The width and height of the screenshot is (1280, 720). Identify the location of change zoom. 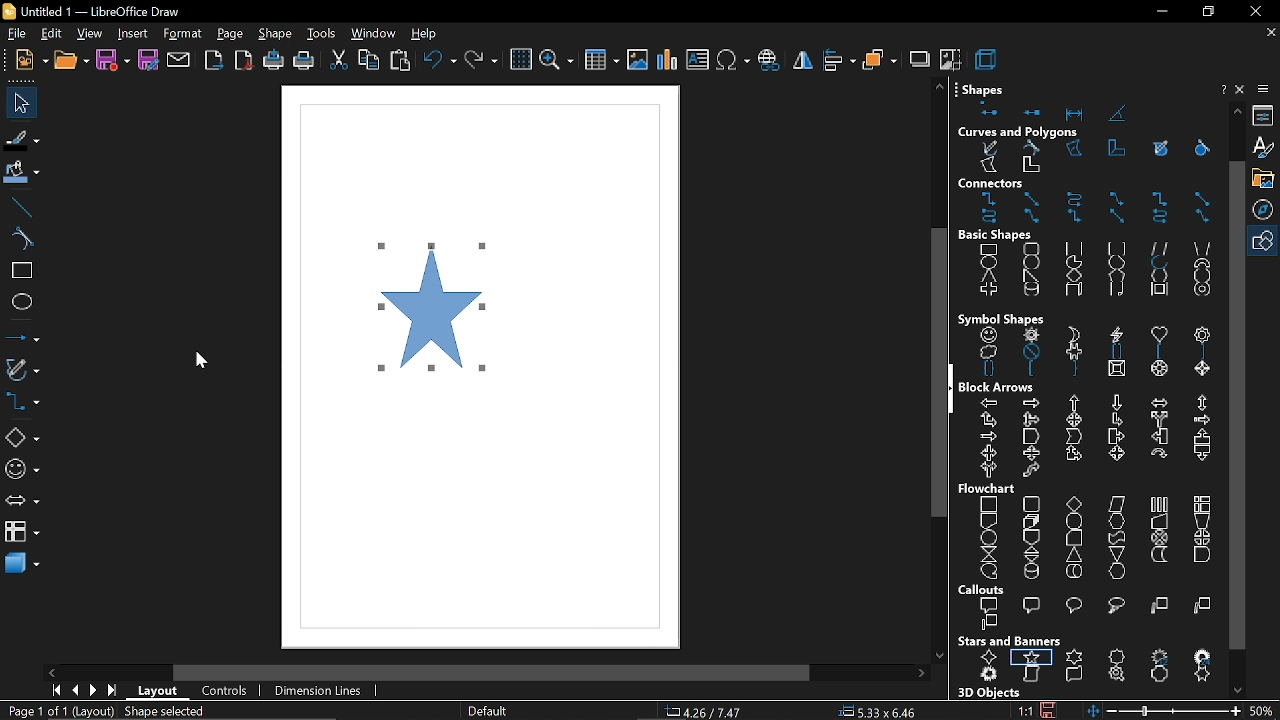
(1164, 712).